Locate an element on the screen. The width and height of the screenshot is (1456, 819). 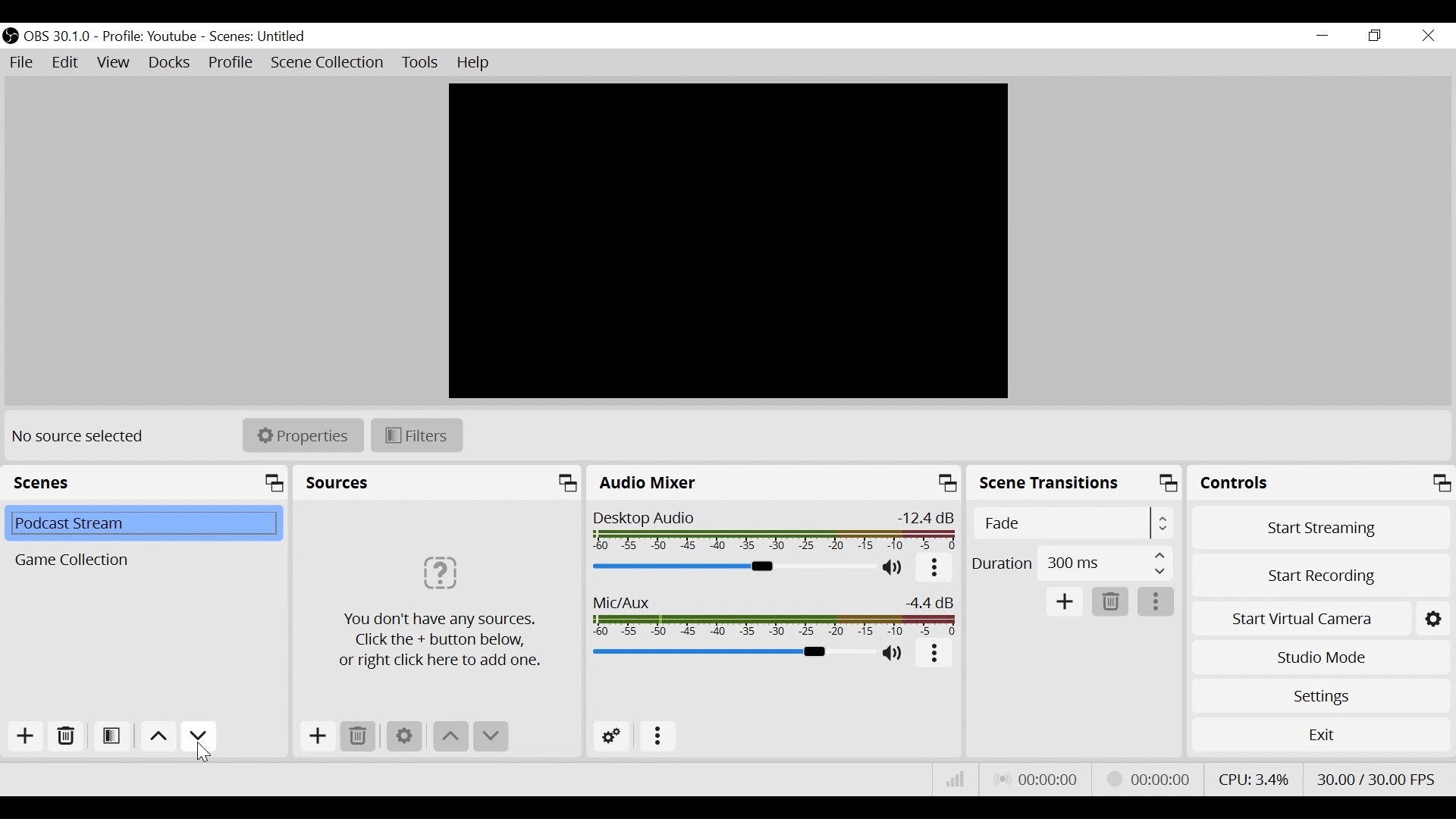
(un)mute is located at coordinates (895, 570).